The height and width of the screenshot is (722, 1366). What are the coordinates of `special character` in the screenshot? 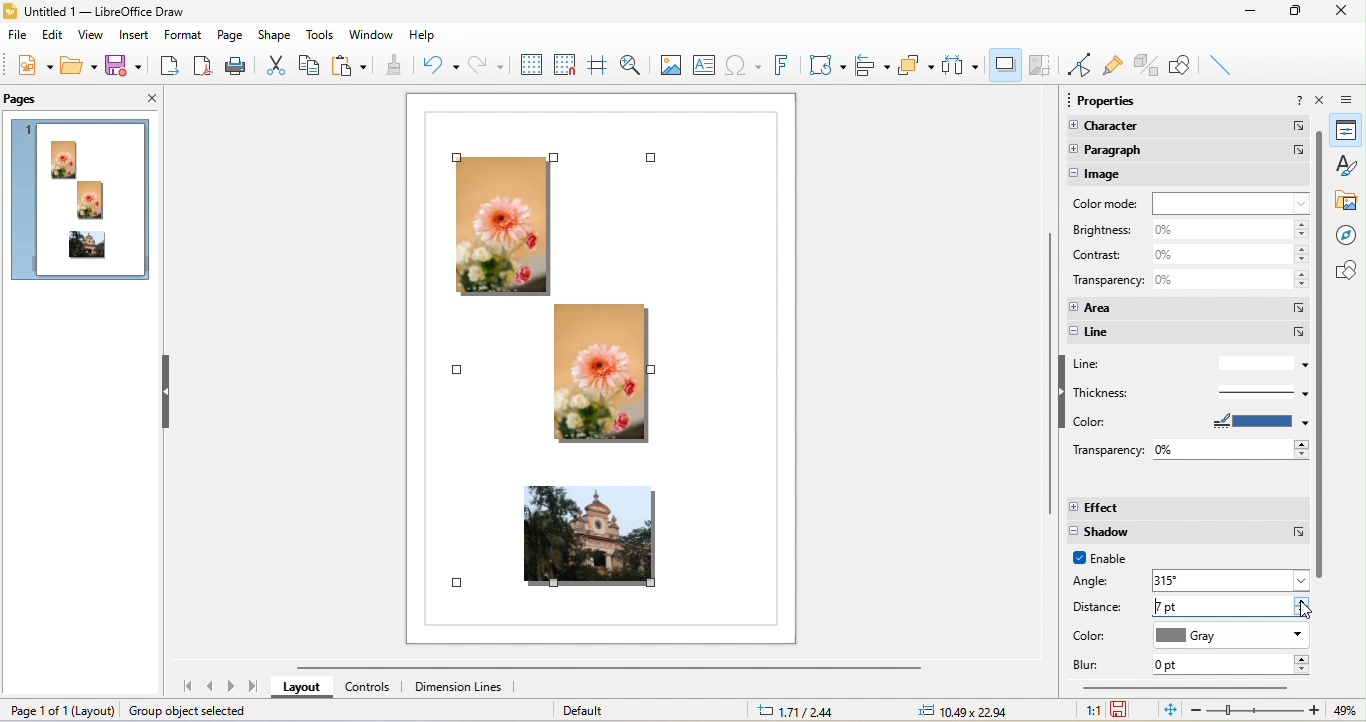 It's located at (743, 63).